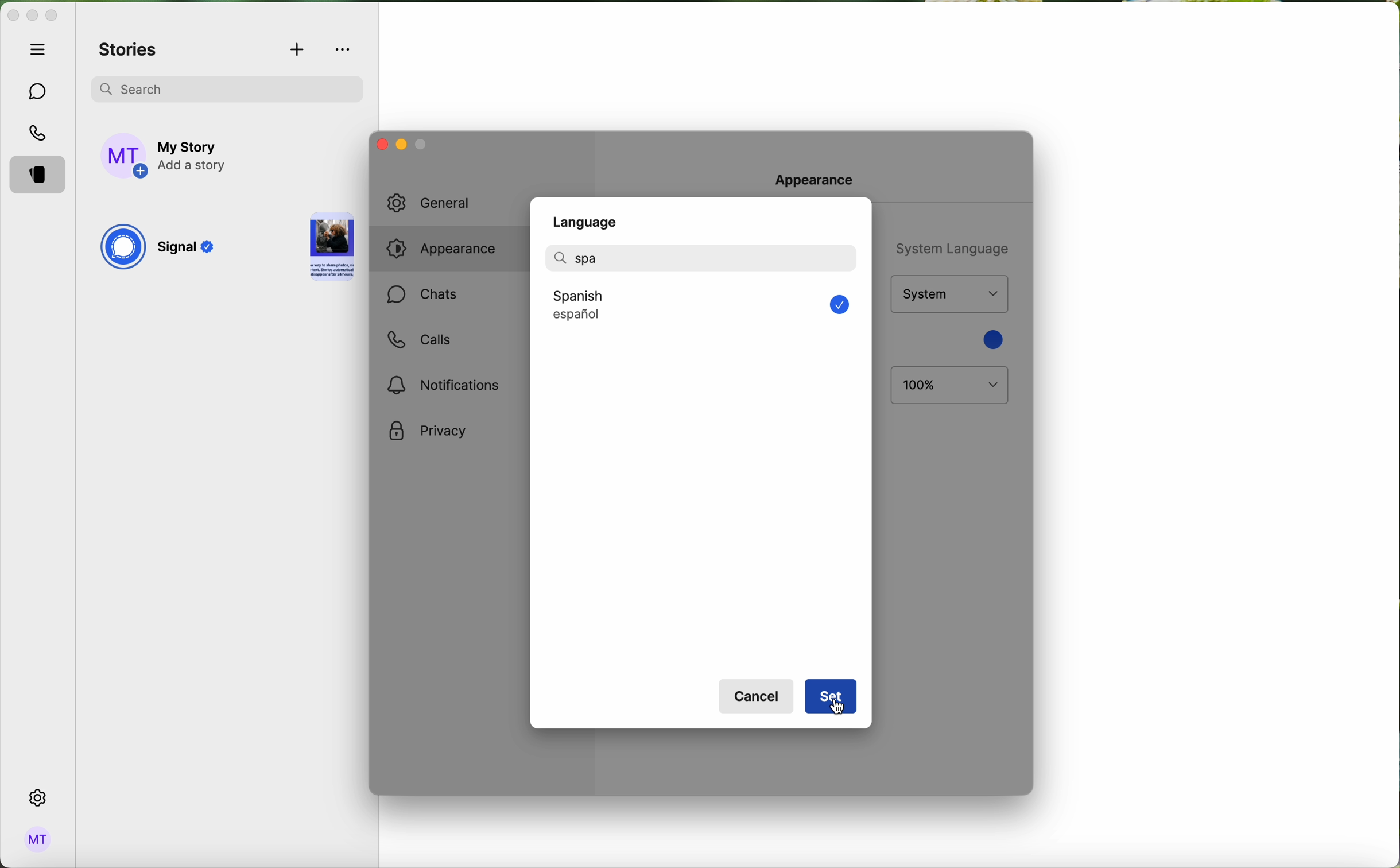  Describe the element at coordinates (227, 87) in the screenshot. I see `search bar` at that location.